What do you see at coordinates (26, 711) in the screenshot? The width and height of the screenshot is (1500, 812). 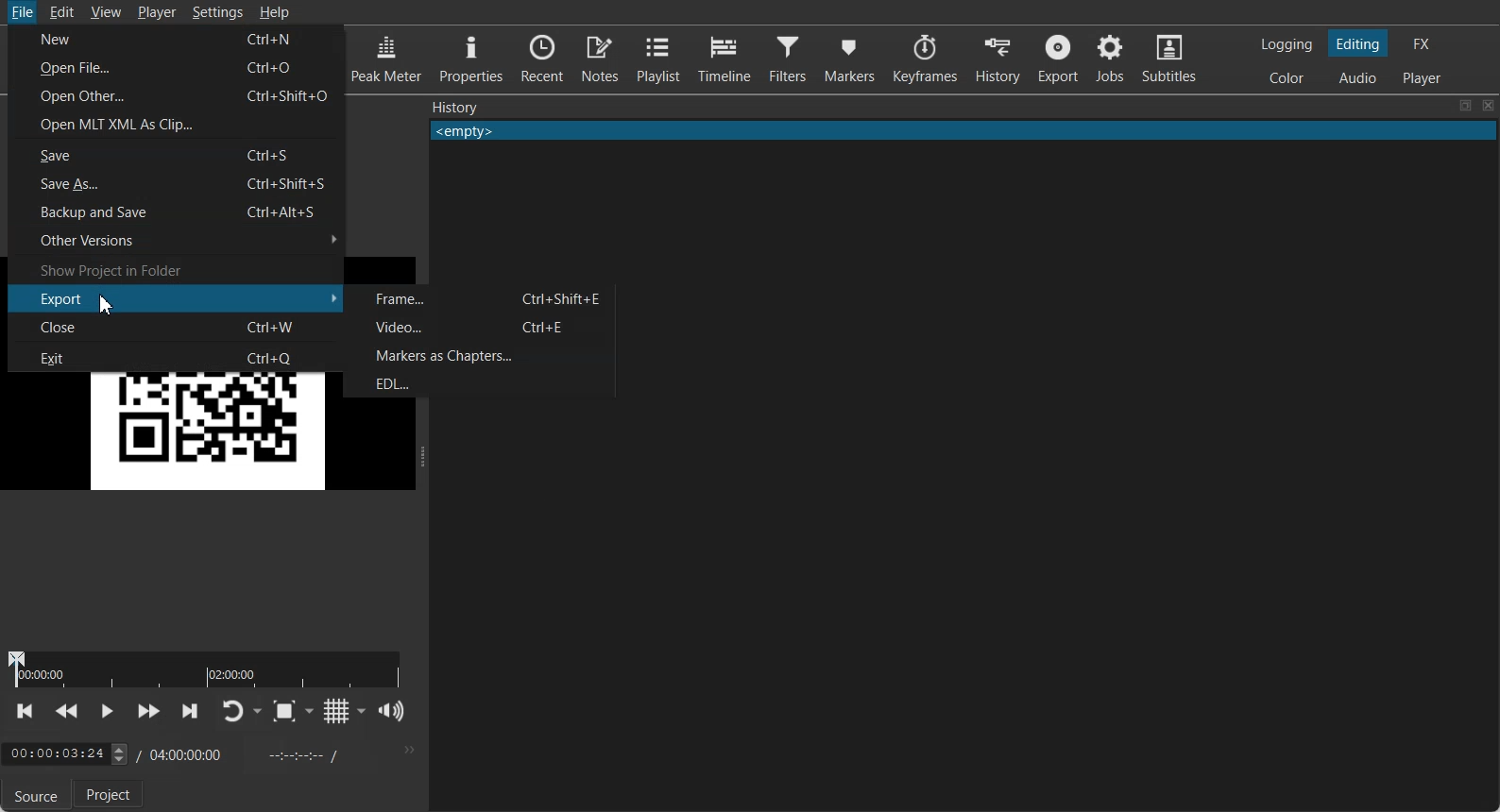 I see `Skip to previous point` at bounding box center [26, 711].